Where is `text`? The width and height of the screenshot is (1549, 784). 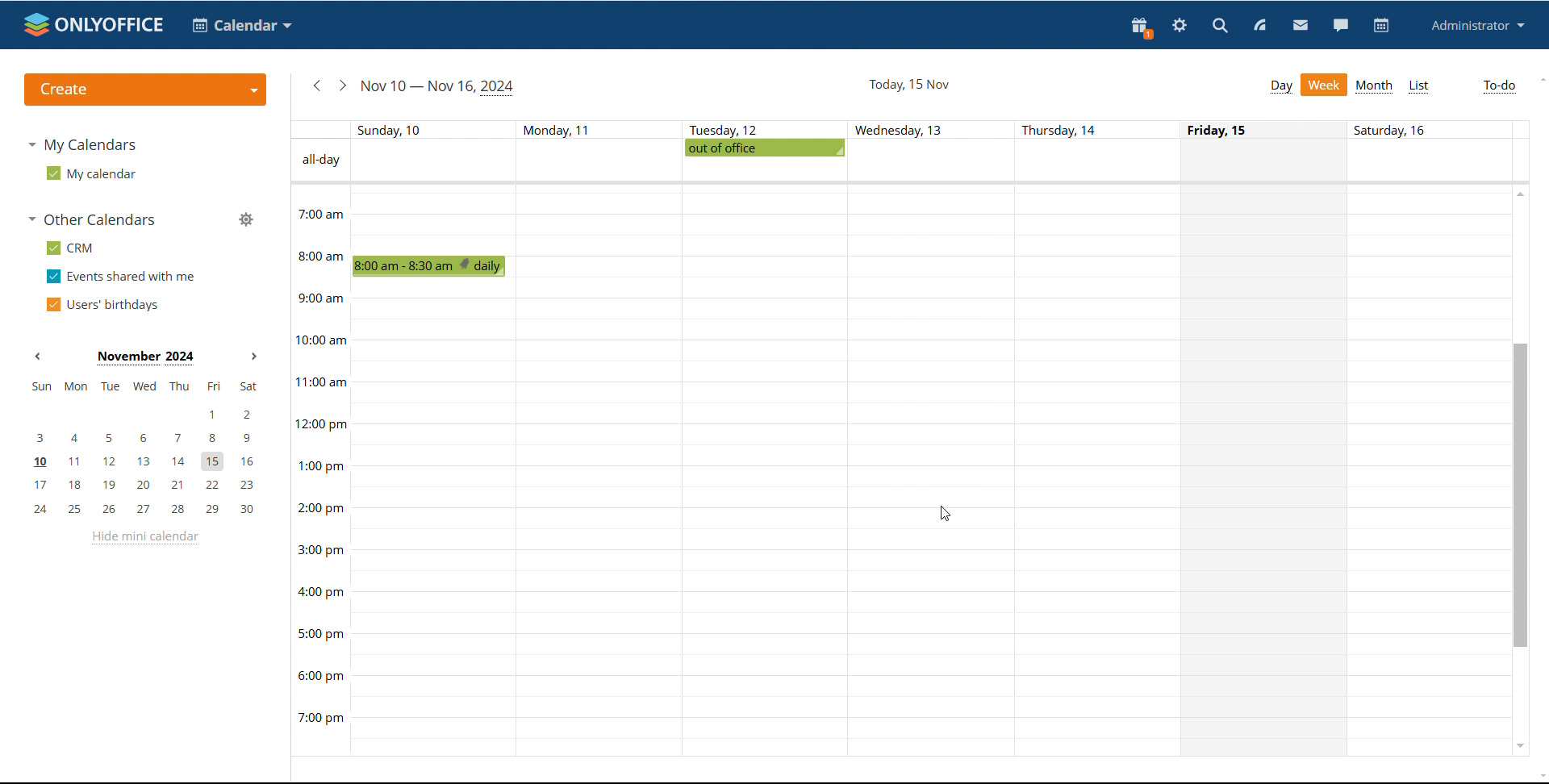 text is located at coordinates (1399, 132).